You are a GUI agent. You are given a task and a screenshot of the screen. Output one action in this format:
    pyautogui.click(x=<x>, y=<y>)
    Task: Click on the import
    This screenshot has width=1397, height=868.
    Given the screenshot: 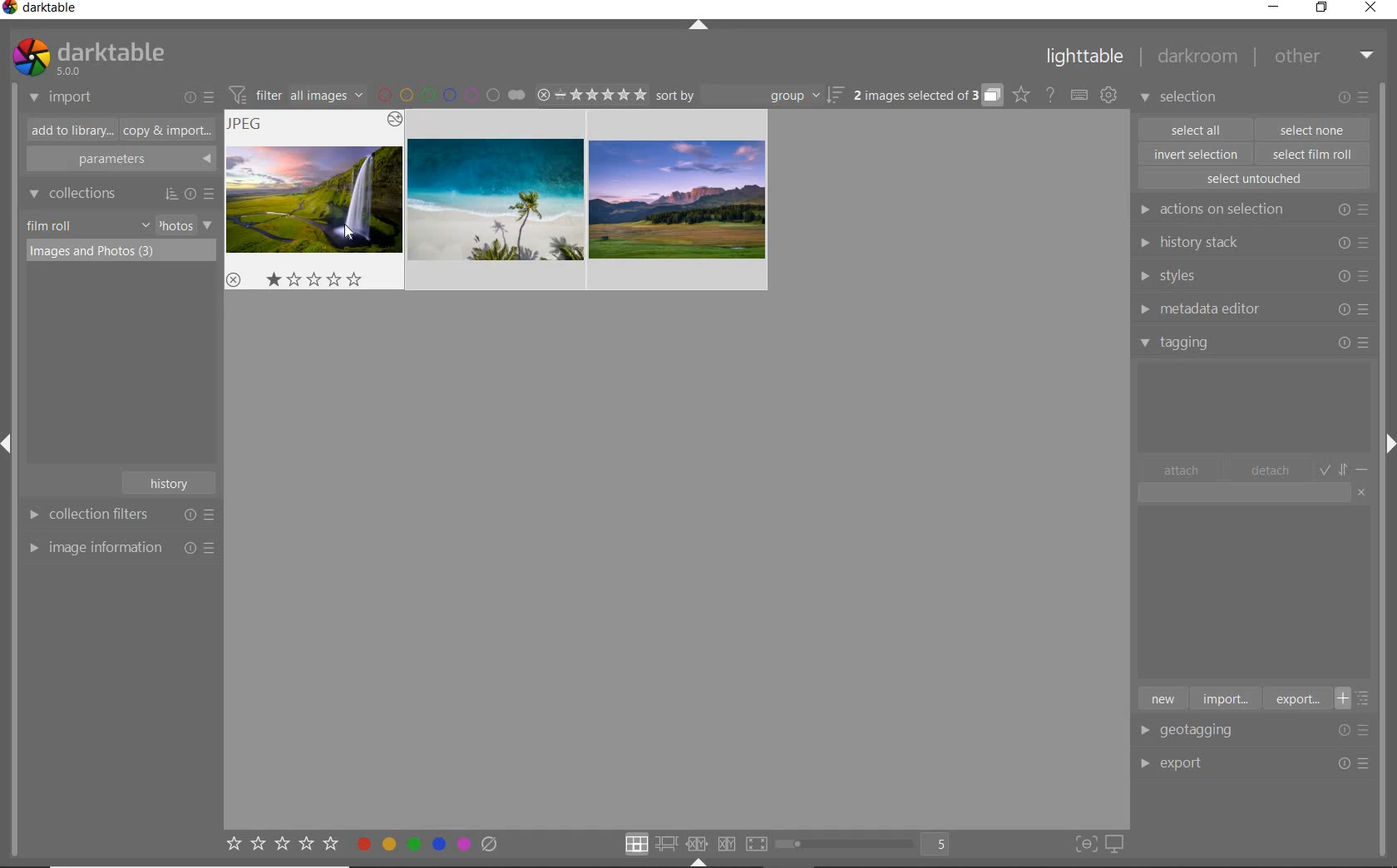 What is the action you would take?
    pyautogui.click(x=62, y=98)
    